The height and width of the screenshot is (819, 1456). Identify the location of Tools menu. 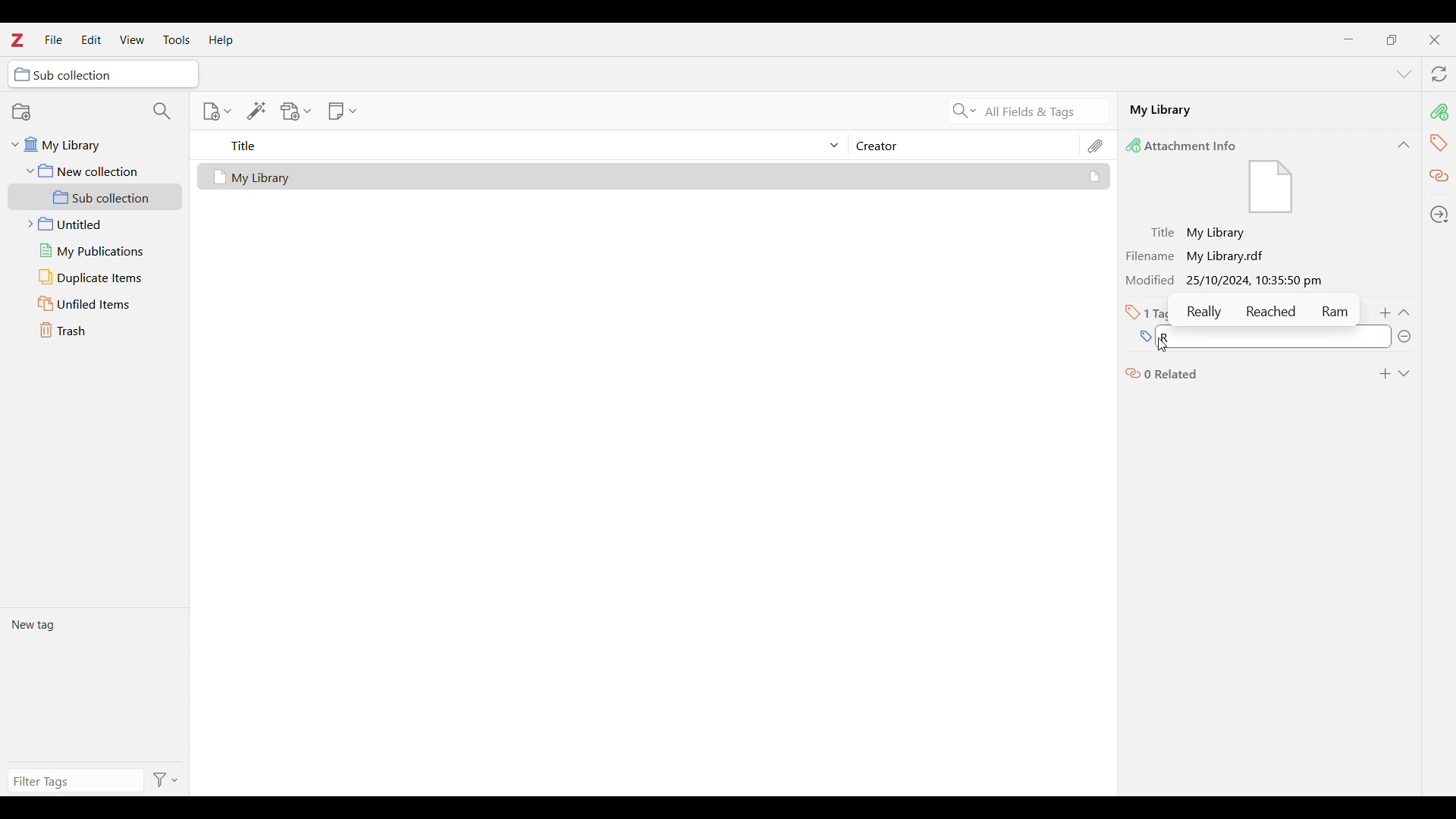
(177, 39).